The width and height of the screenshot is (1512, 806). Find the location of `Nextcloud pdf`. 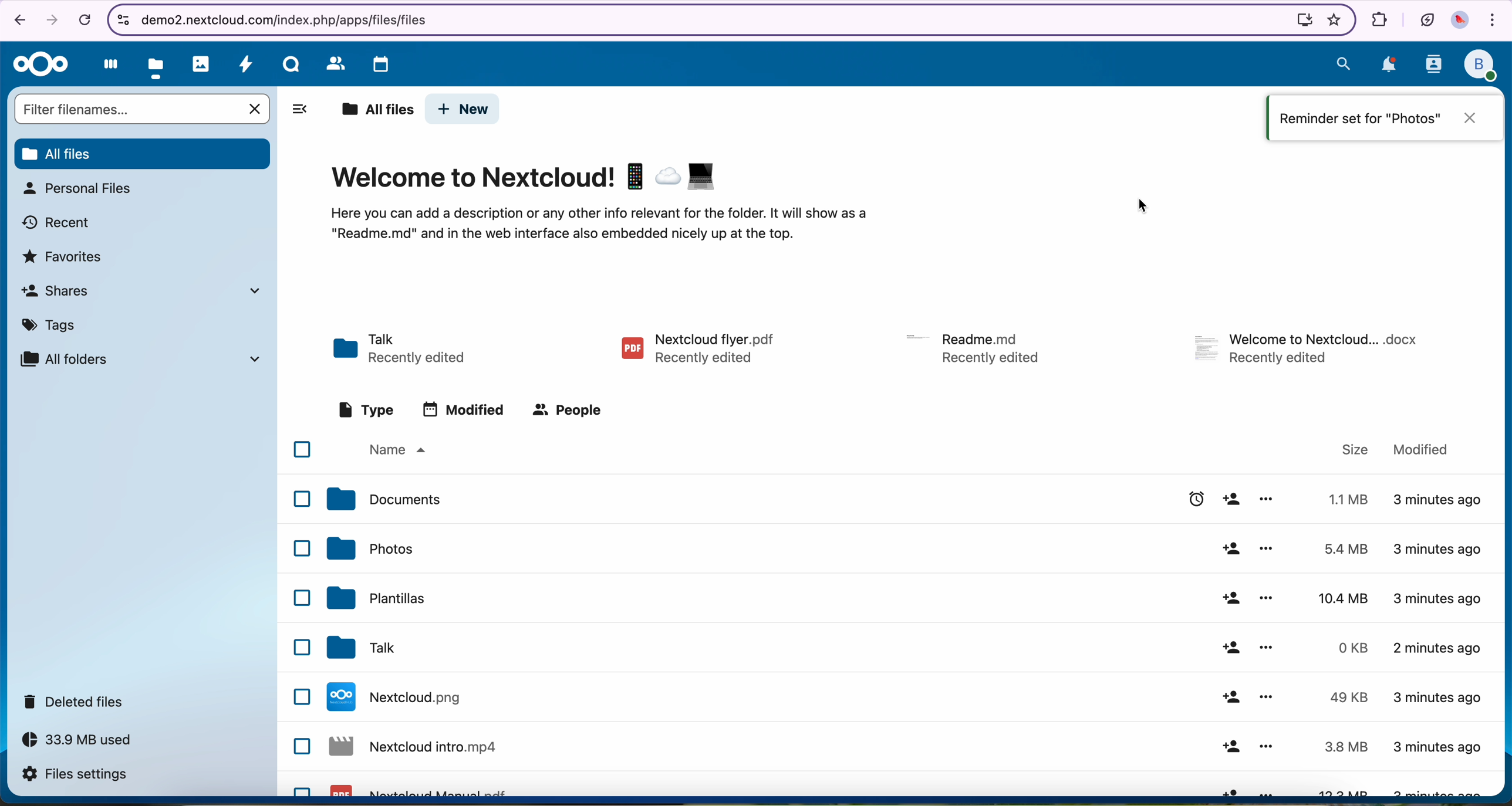

Nextcloud pdf is located at coordinates (423, 788).